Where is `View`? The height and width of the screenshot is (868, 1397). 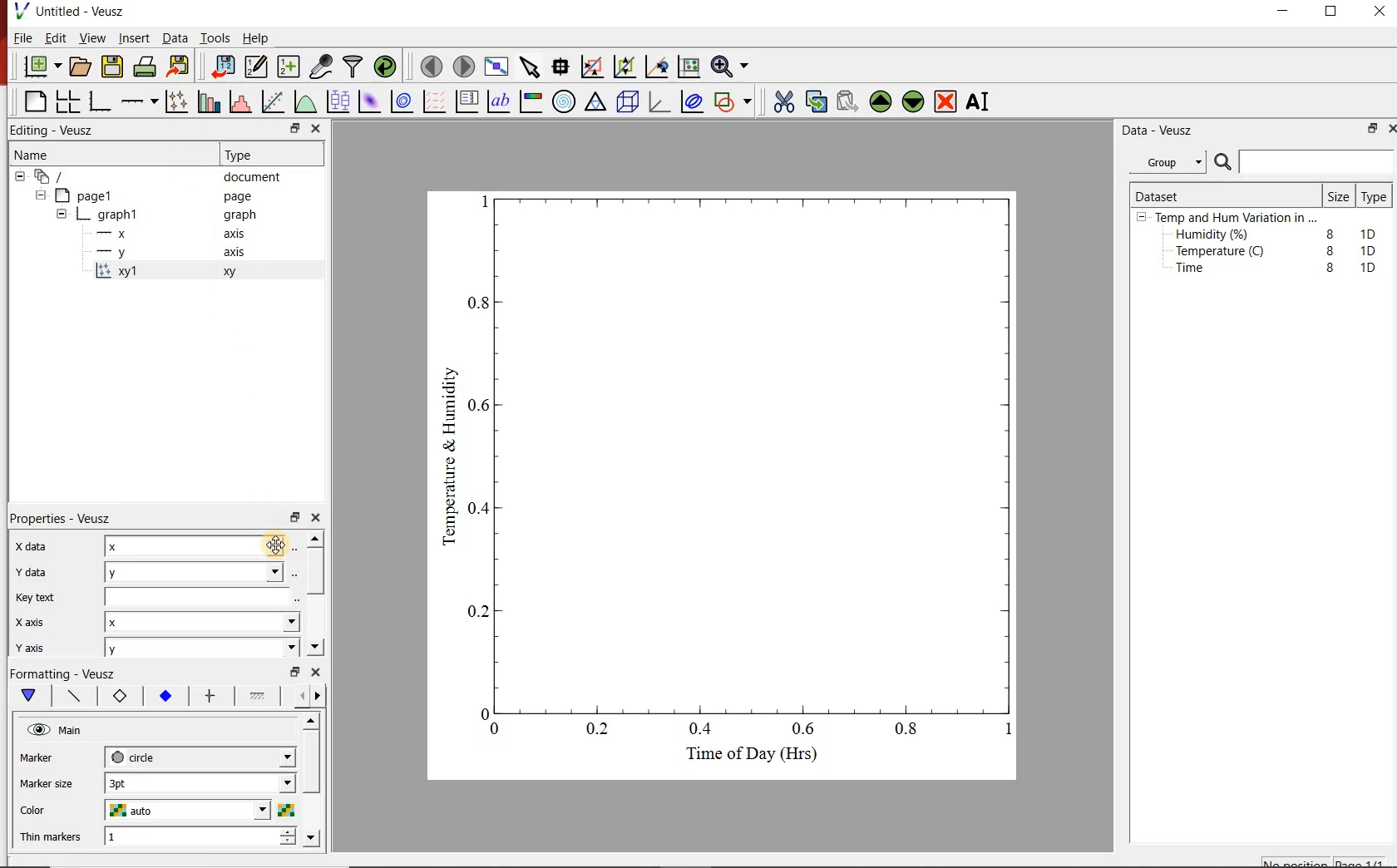
View is located at coordinates (92, 38).